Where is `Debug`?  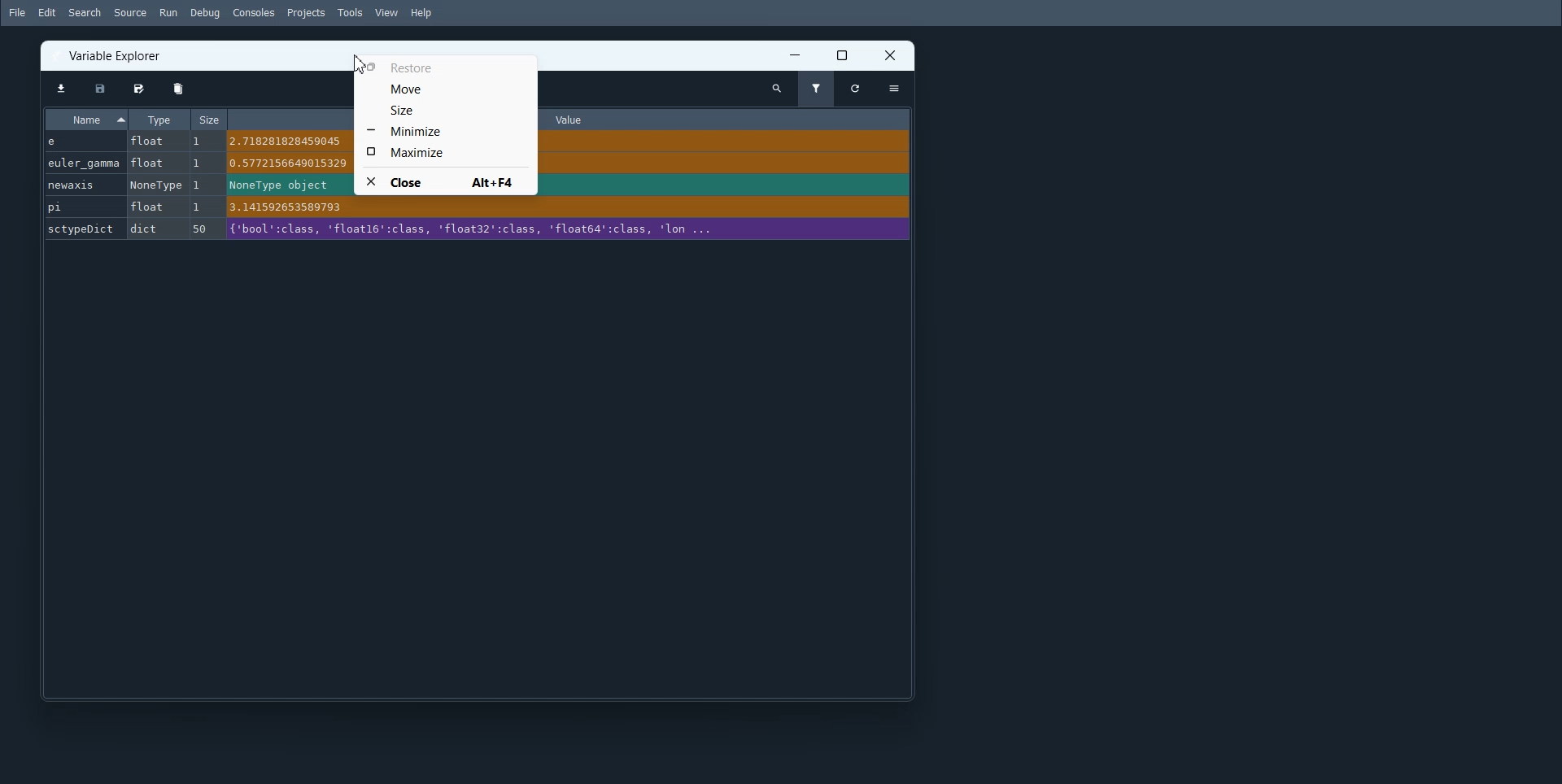 Debug is located at coordinates (203, 13).